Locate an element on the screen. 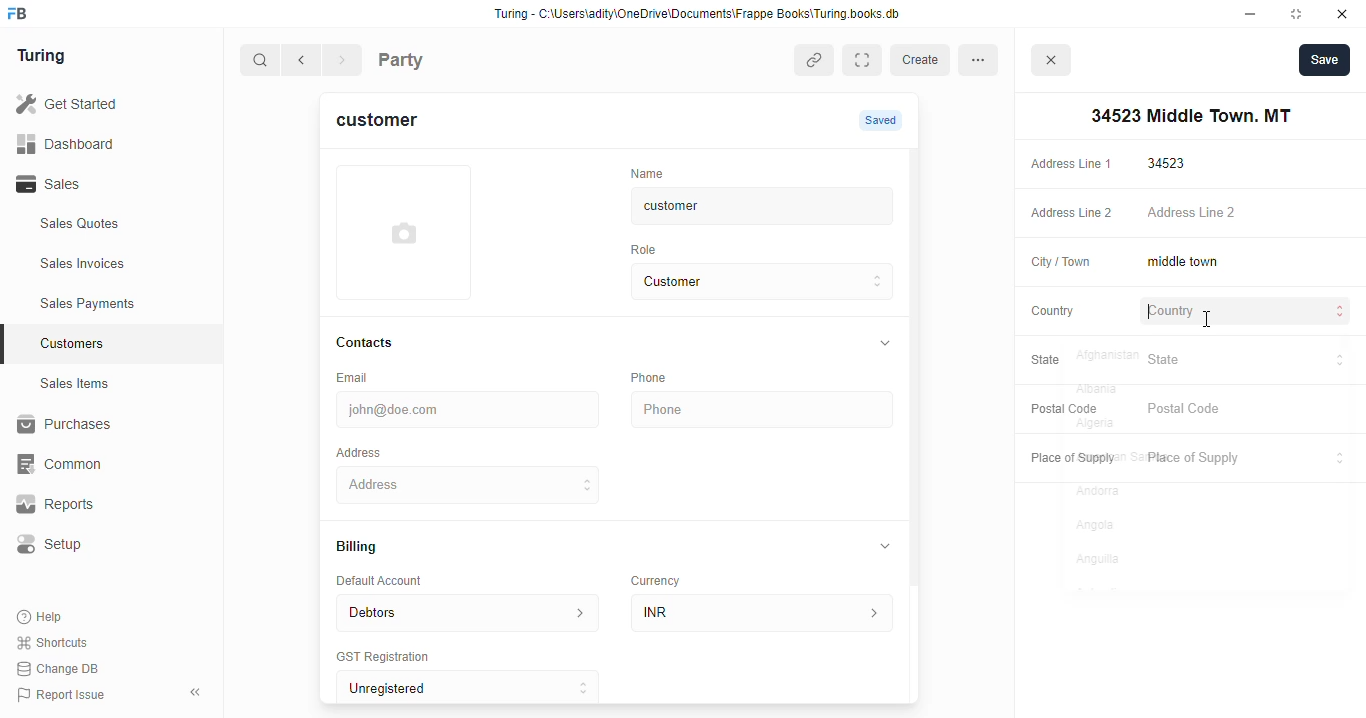 Image resolution: width=1366 pixels, height=718 pixels. maximise is located at coordinates (1300, 14).